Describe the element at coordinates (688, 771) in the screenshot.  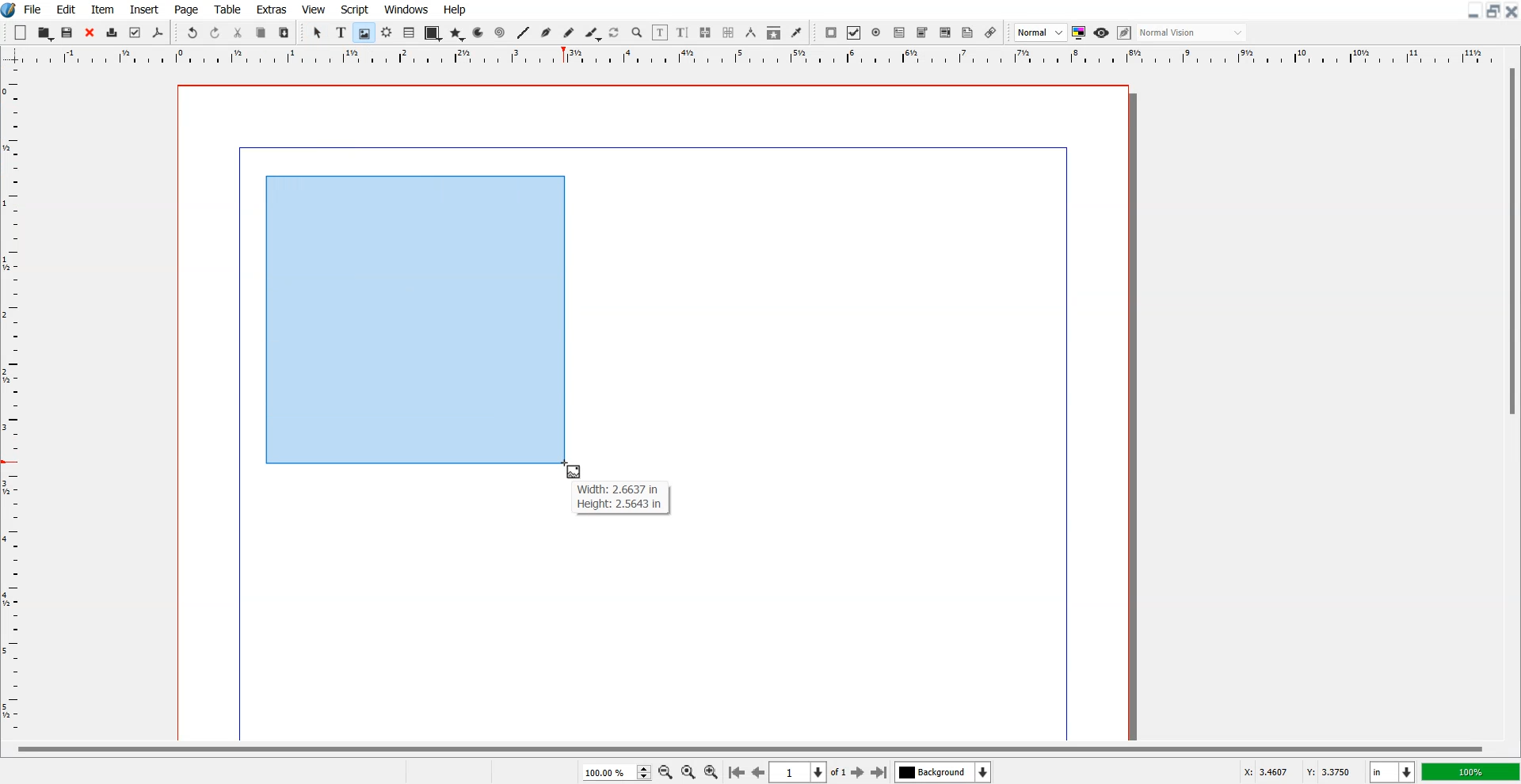
I see `Zoom to 100%` at that location.